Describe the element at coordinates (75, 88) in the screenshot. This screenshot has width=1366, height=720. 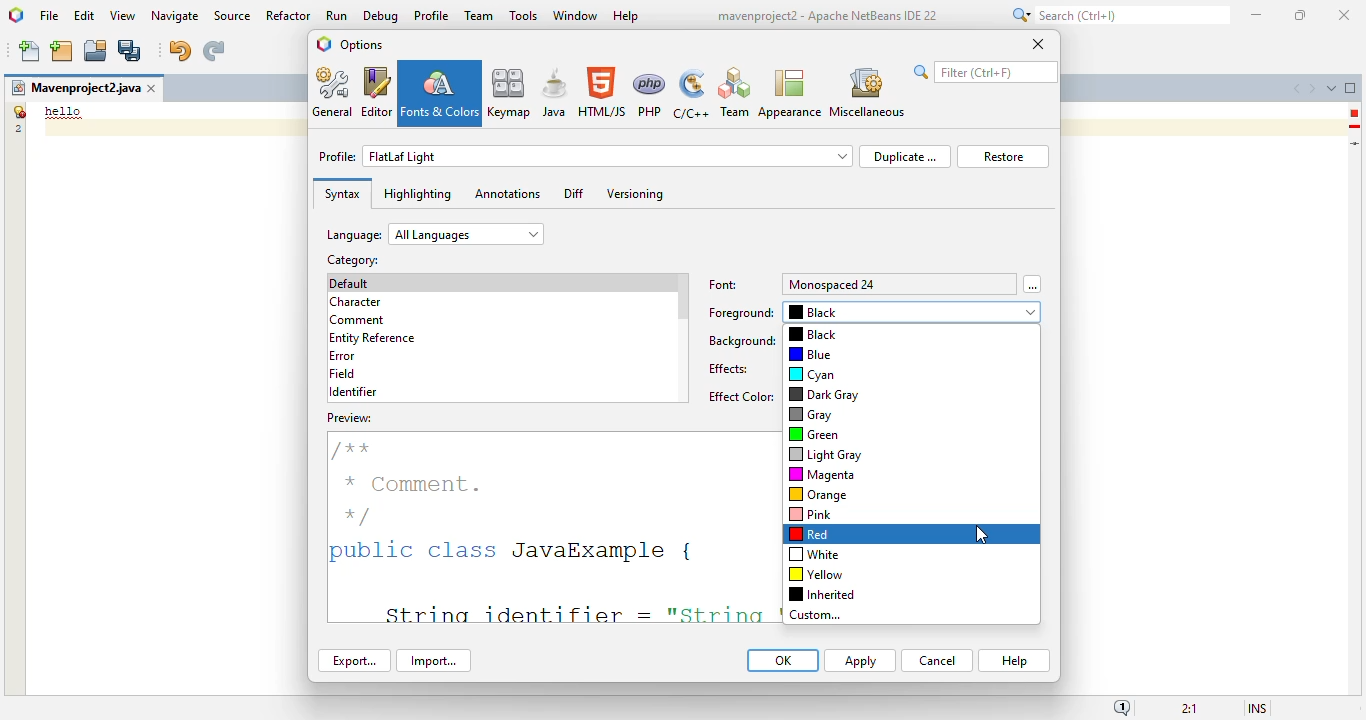
I see `project name` at that location.